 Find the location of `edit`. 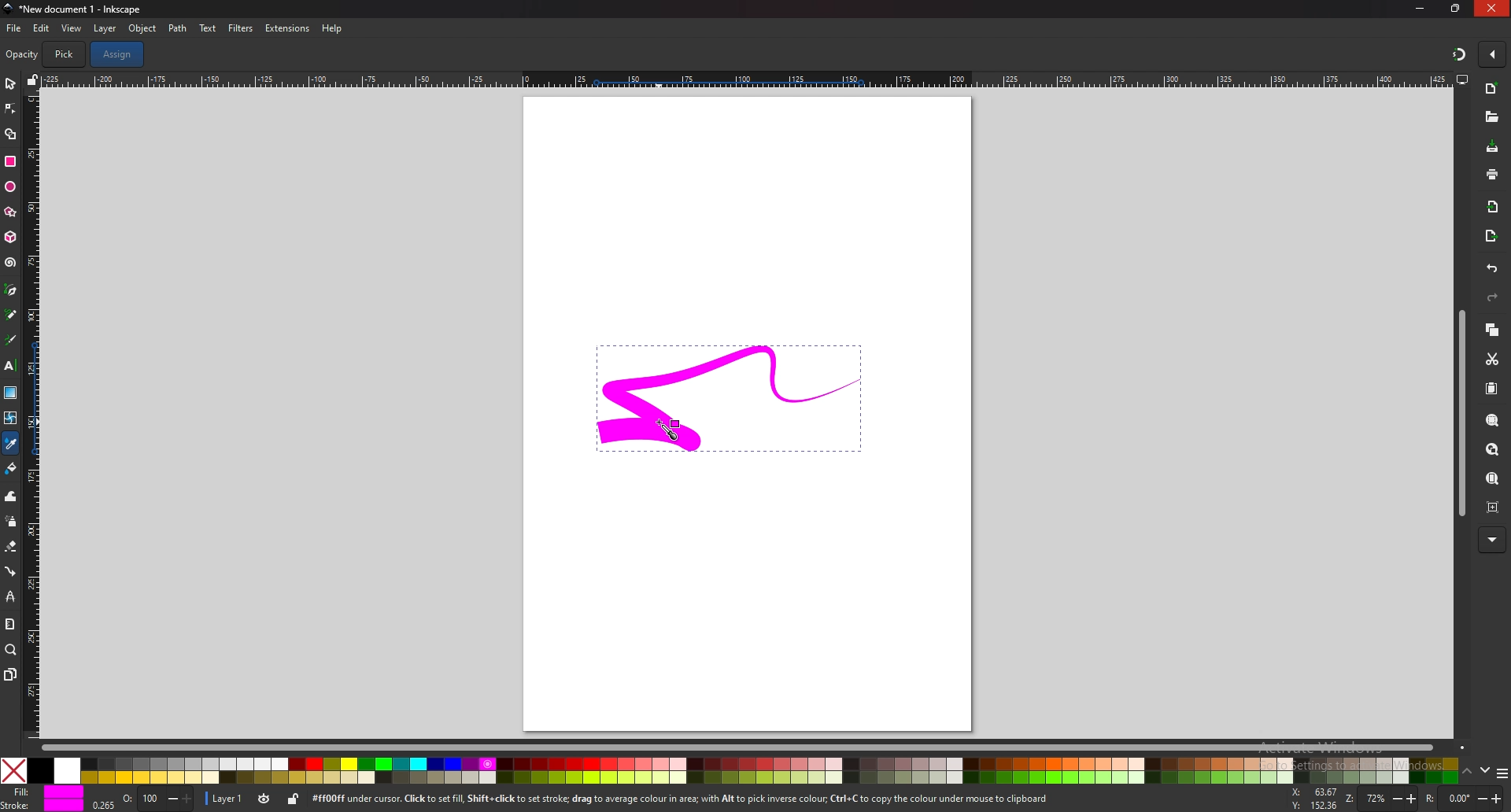

edit is located at coordinates (42, 28).